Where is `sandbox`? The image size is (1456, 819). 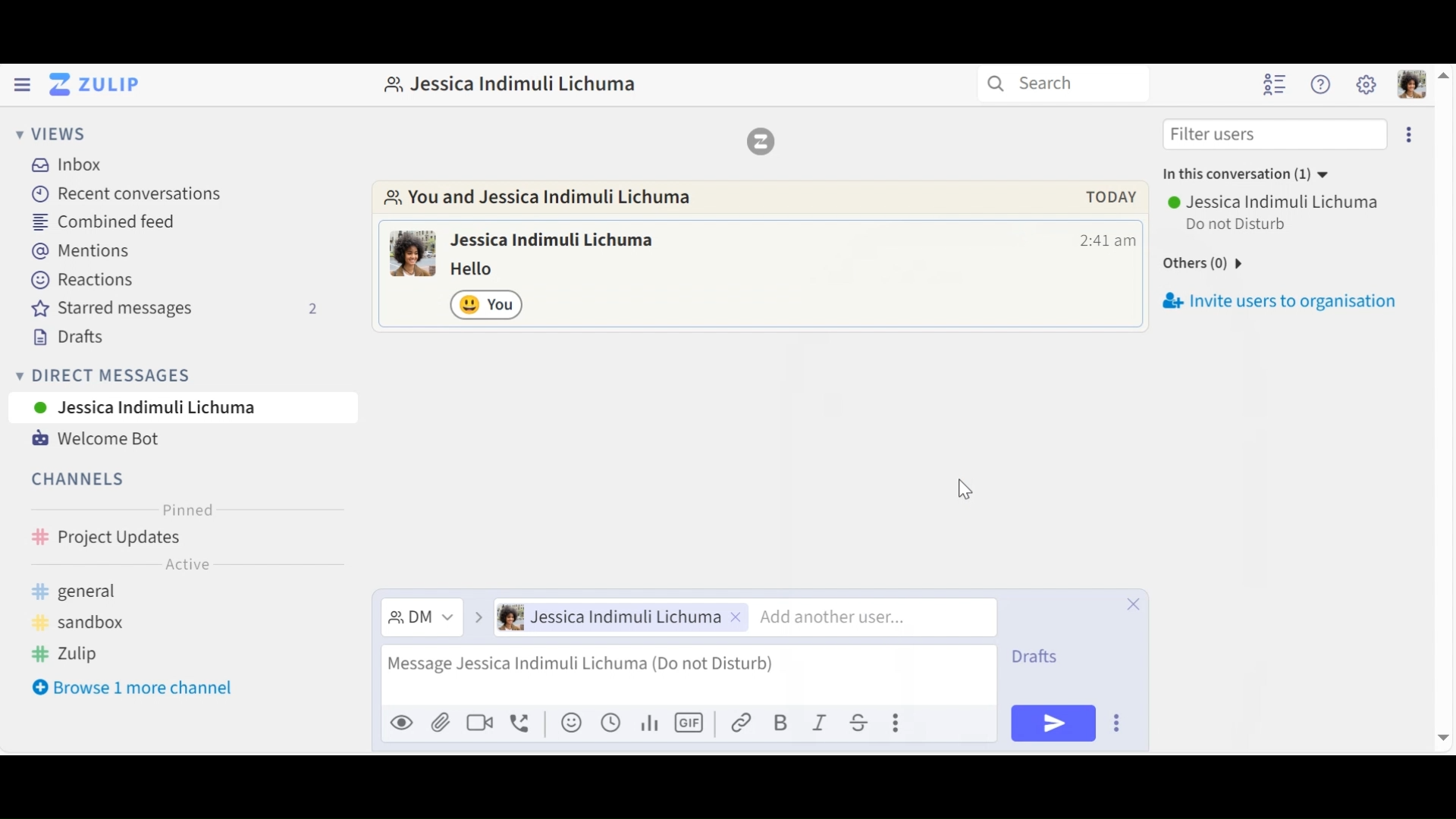
sandbox is located at coordinates (86, 623).